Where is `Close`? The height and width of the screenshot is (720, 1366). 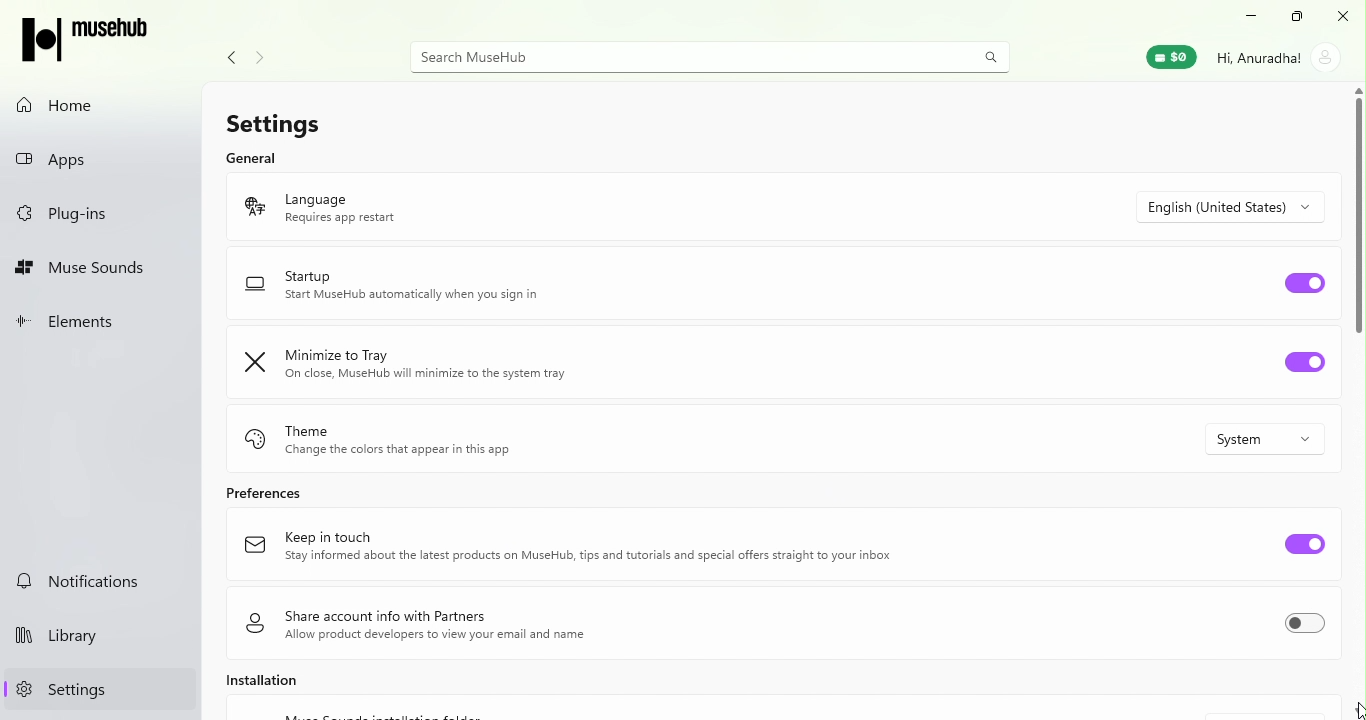
Close is located at coordinates (1346, 19).